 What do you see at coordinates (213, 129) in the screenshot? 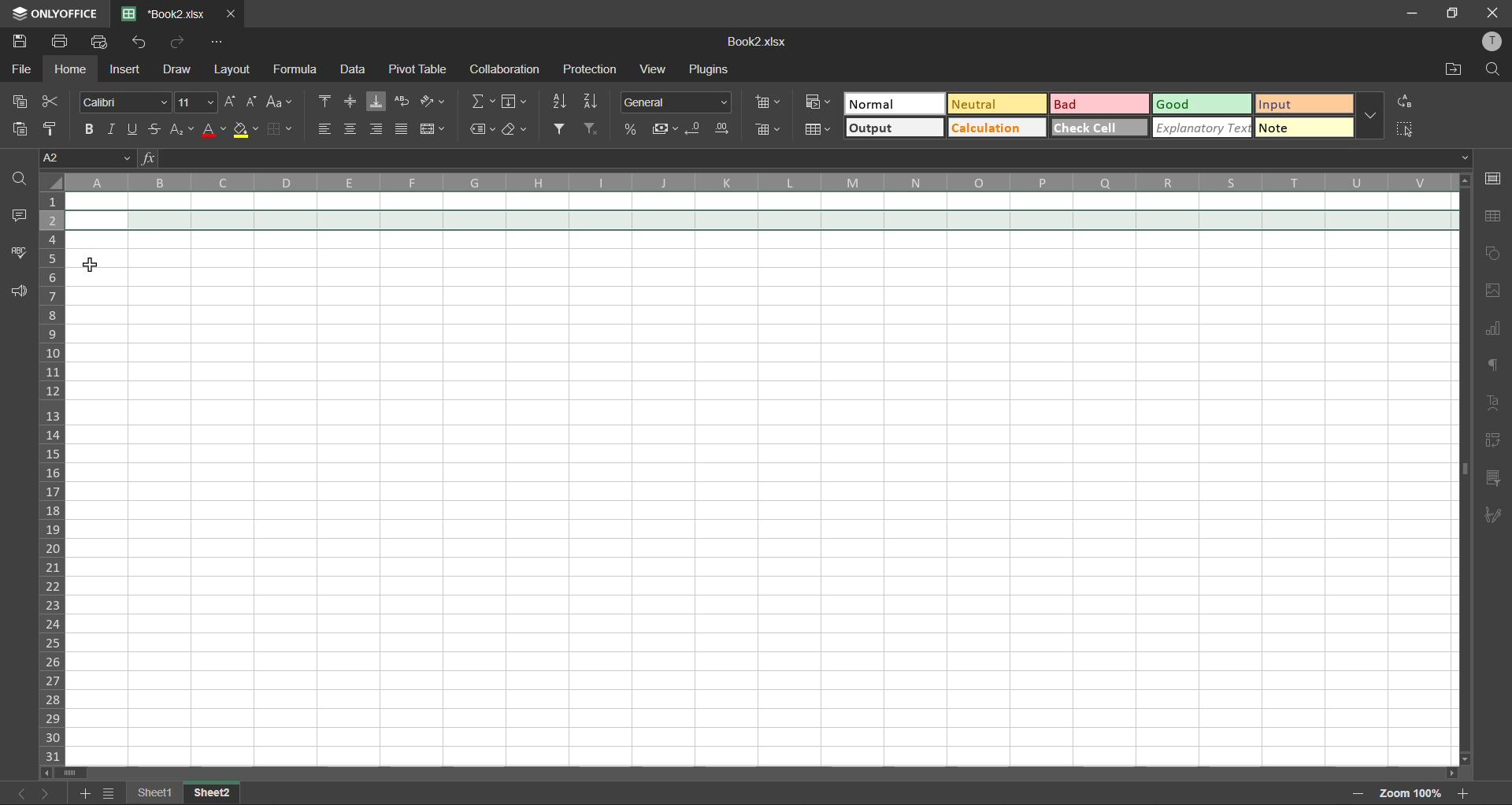
I see `font color` at bounding box center [213, 129].